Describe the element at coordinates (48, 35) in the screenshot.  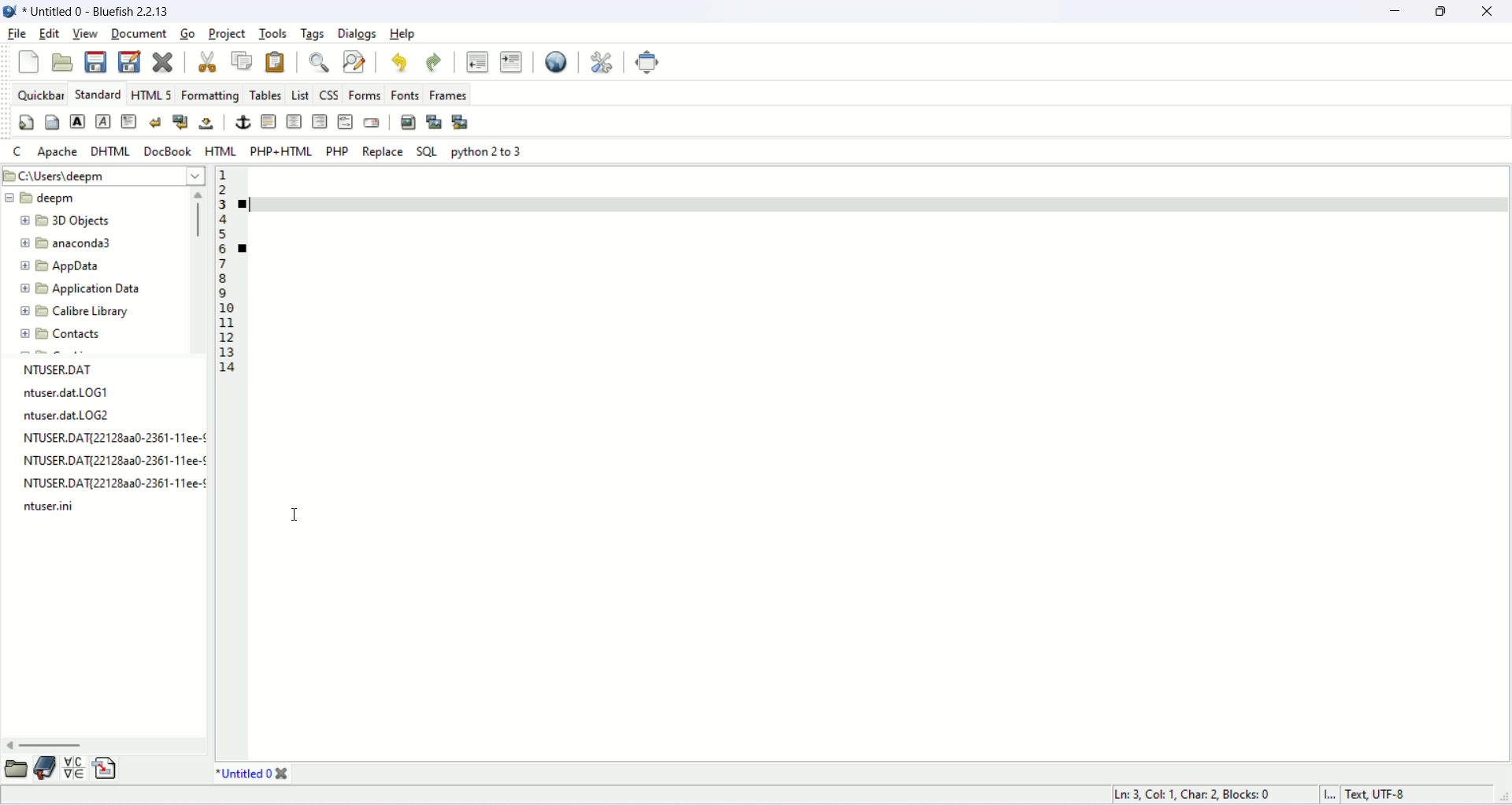
I see `edit` at that location.